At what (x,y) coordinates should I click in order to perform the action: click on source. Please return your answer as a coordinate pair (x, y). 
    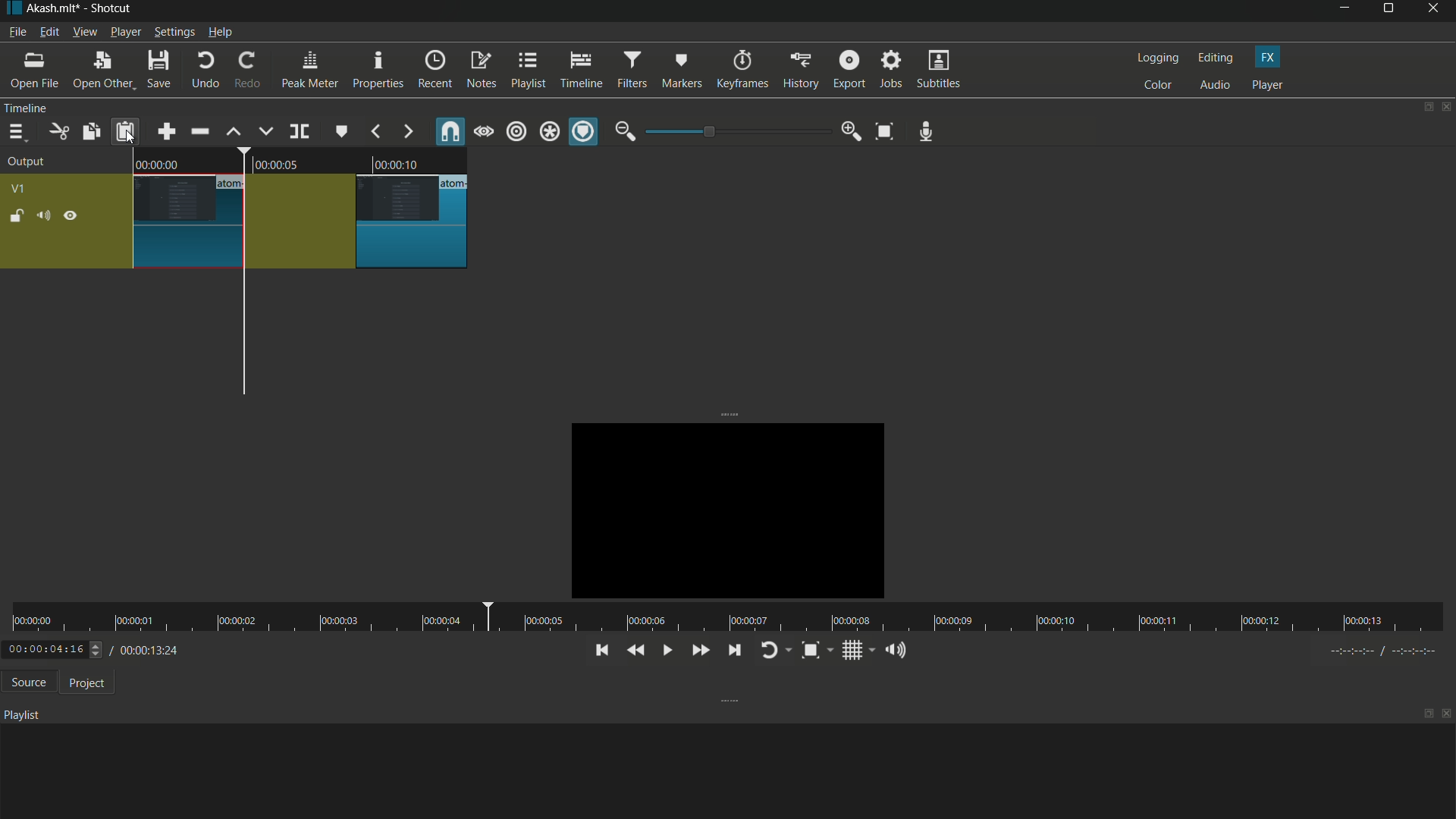
    Looking at the image, I should click on (25, 682).